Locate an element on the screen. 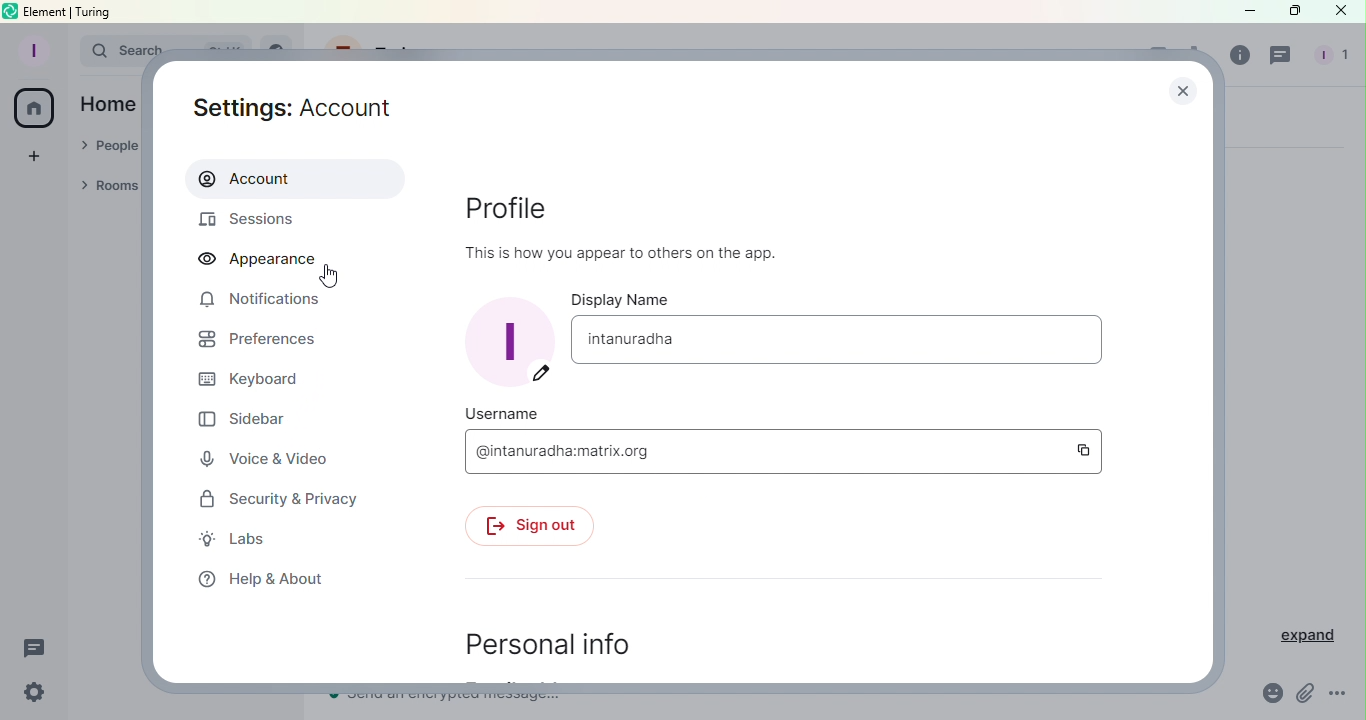 The height and width of the screenshot is (720, 1366). Profile is located at coordinates (31, 49).